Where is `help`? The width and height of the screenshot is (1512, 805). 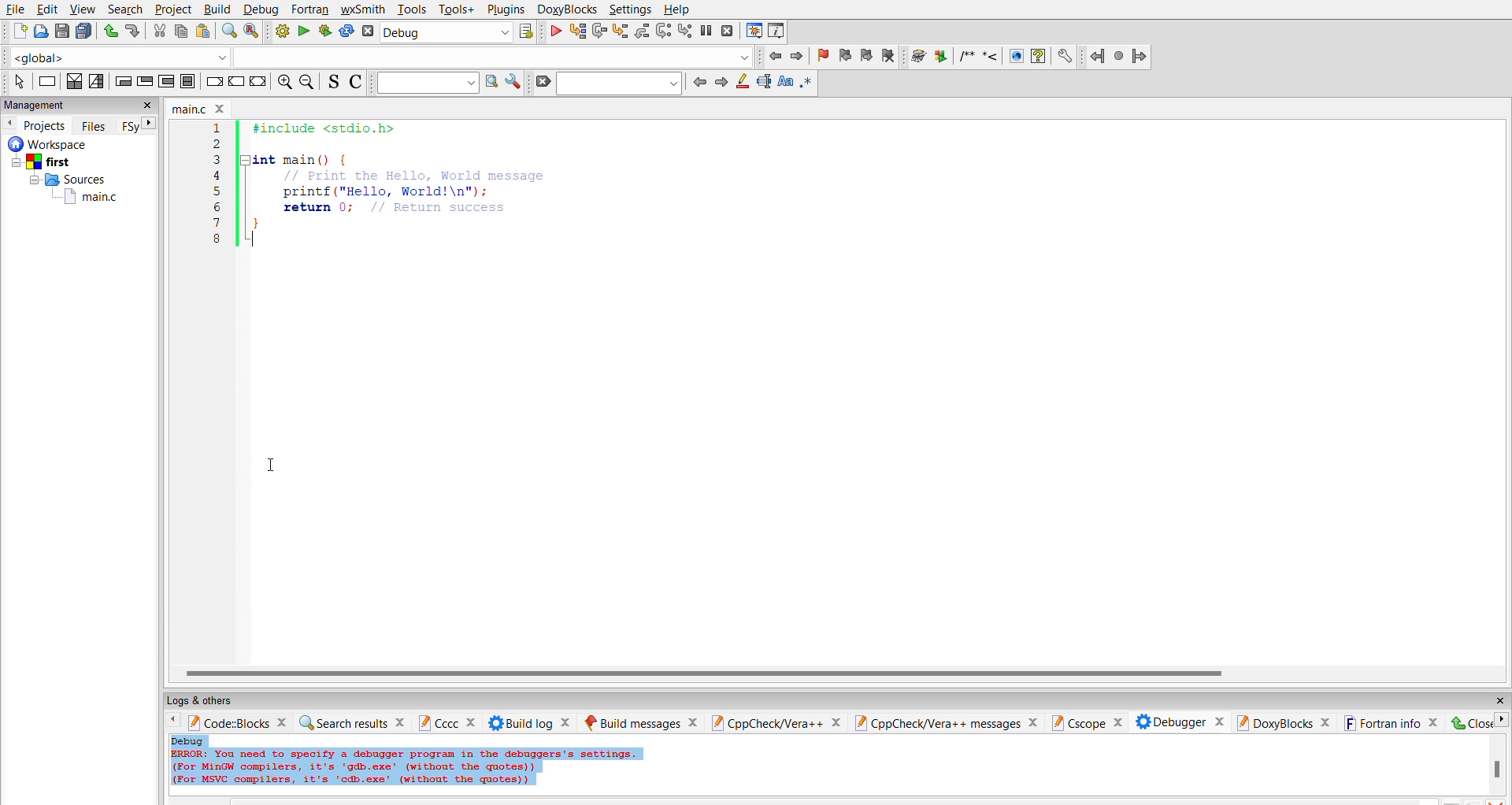 help is located at coordinates (679, 10).